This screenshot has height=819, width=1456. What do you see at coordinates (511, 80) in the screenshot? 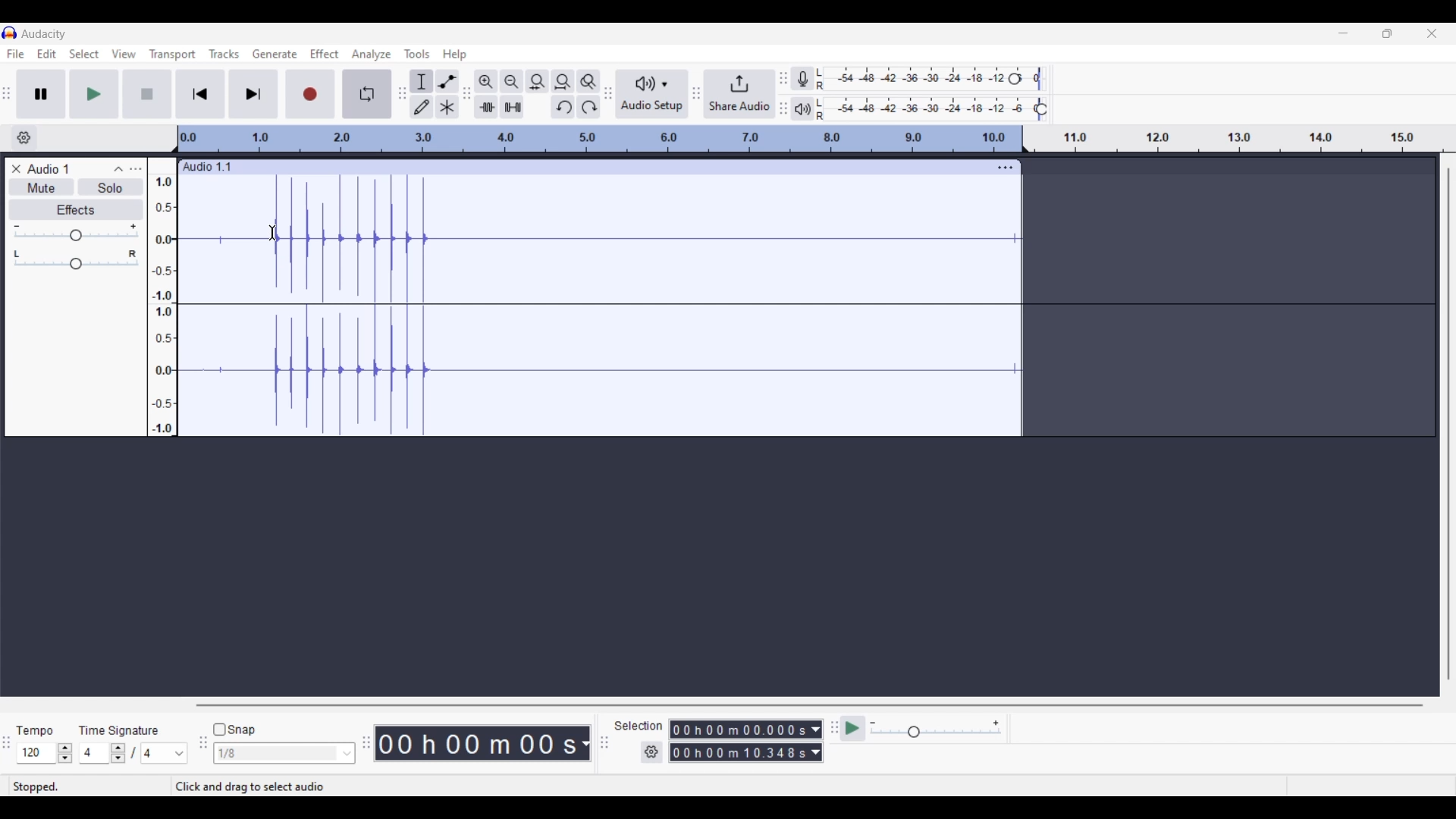
I see `Zoom out` at bounding box center [511, 80].